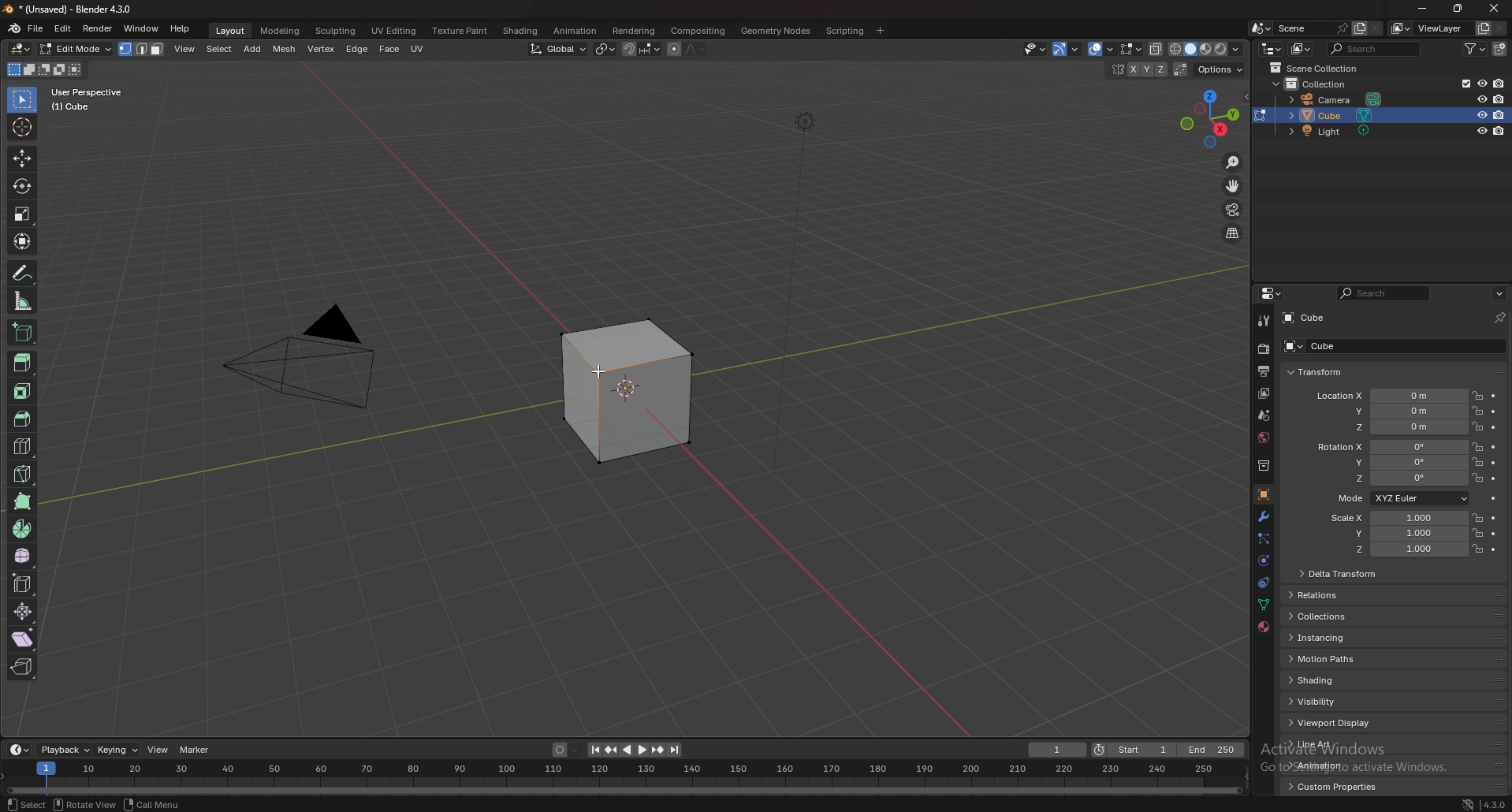 The width and height of the screenshot is (1512, 812). Describe the element at coordinates (1264, 348) in the screenshot. I see `render` at that location.